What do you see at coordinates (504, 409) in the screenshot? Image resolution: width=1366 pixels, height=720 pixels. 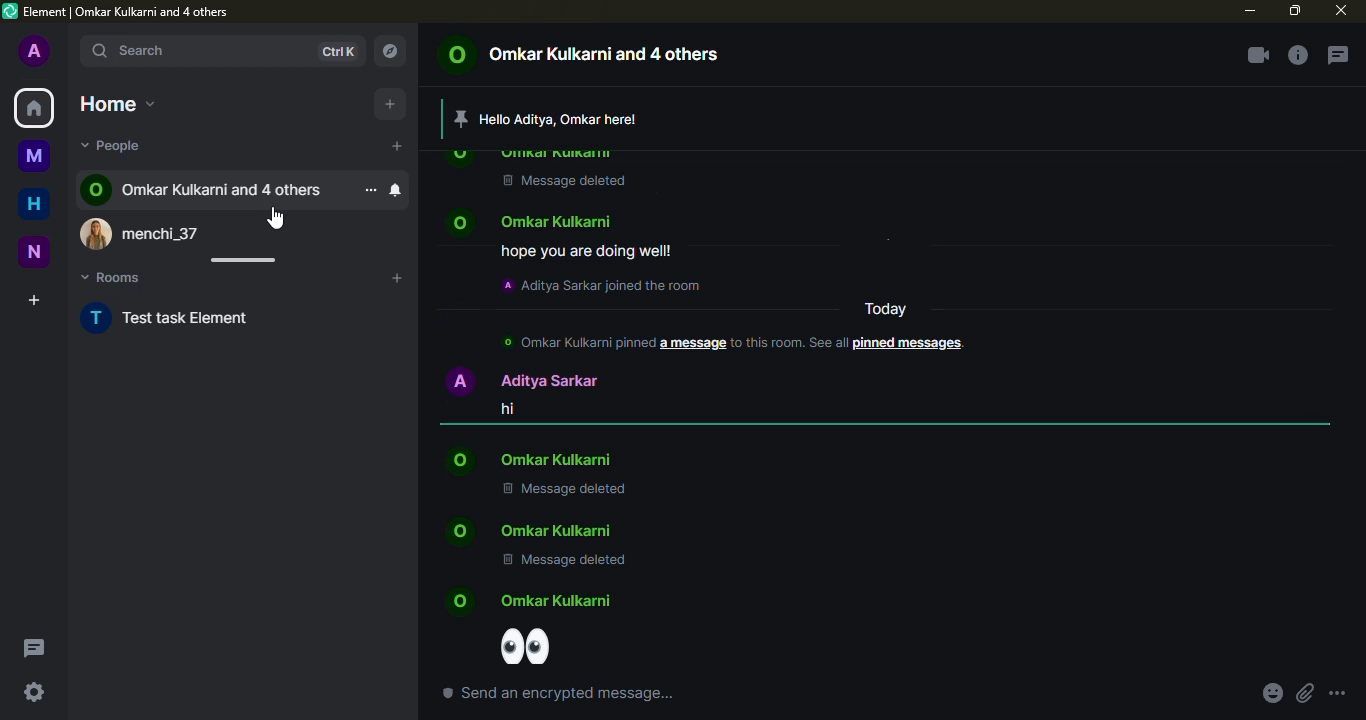 I see `hi` at bounding box center [504, 409].